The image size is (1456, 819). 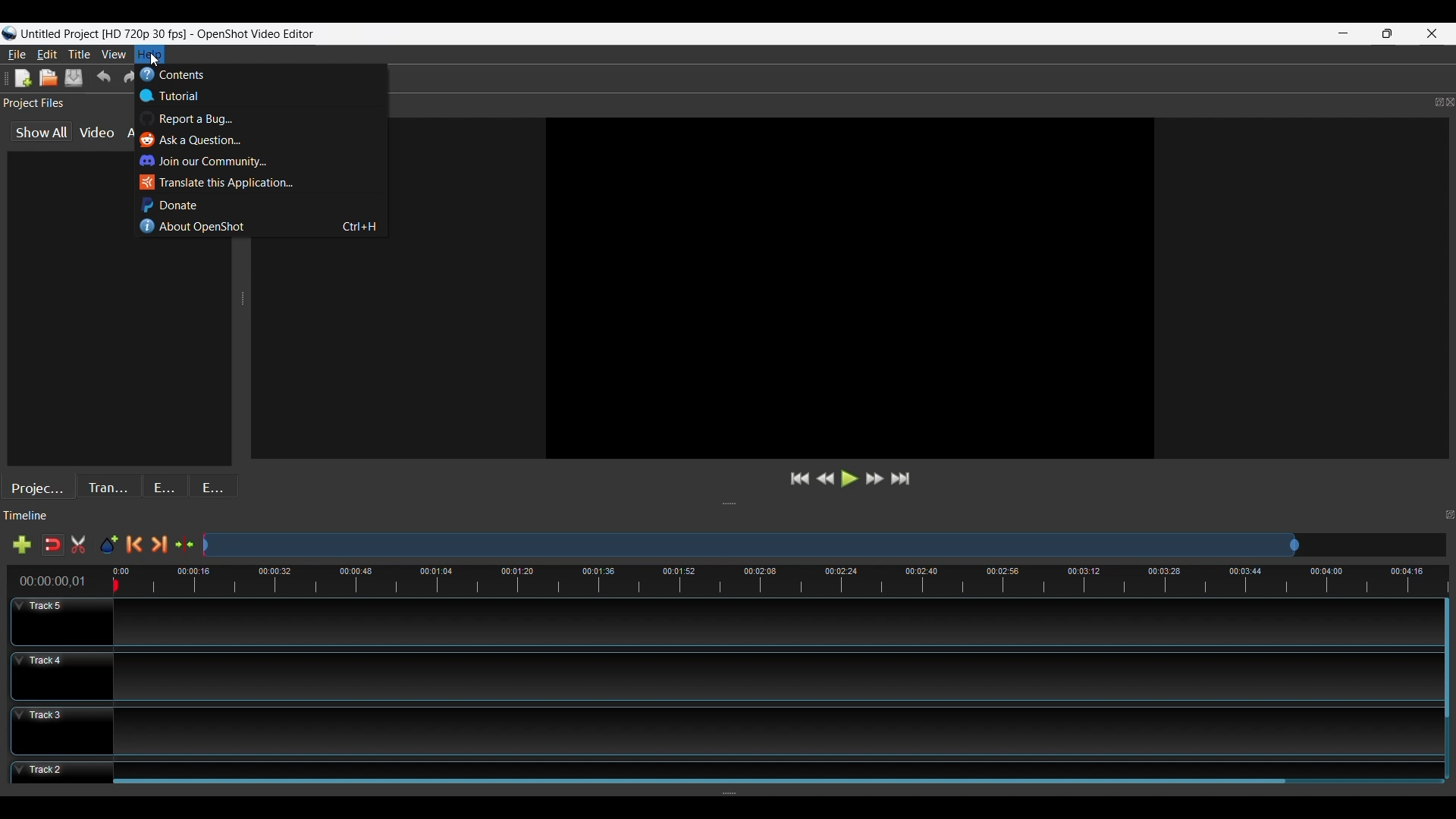 What do you see at coordinates (850, 103) in the screenshot?
I see `Video Preview Panel` at bounding box center [850, 103].